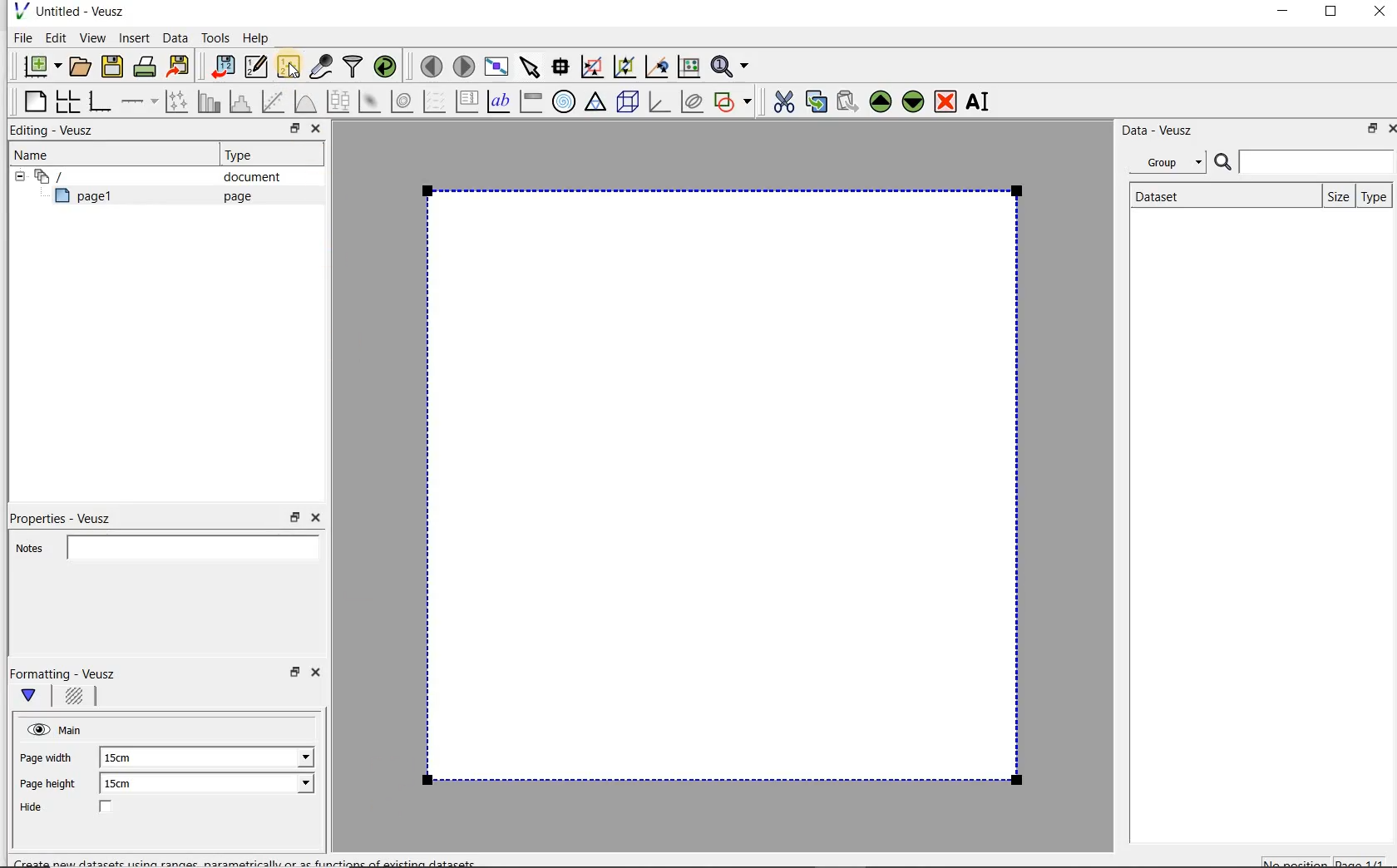  What do you see at coordinates (55, 37) in the screenshot?
I see `Edit` at bounding box center [55, 37].